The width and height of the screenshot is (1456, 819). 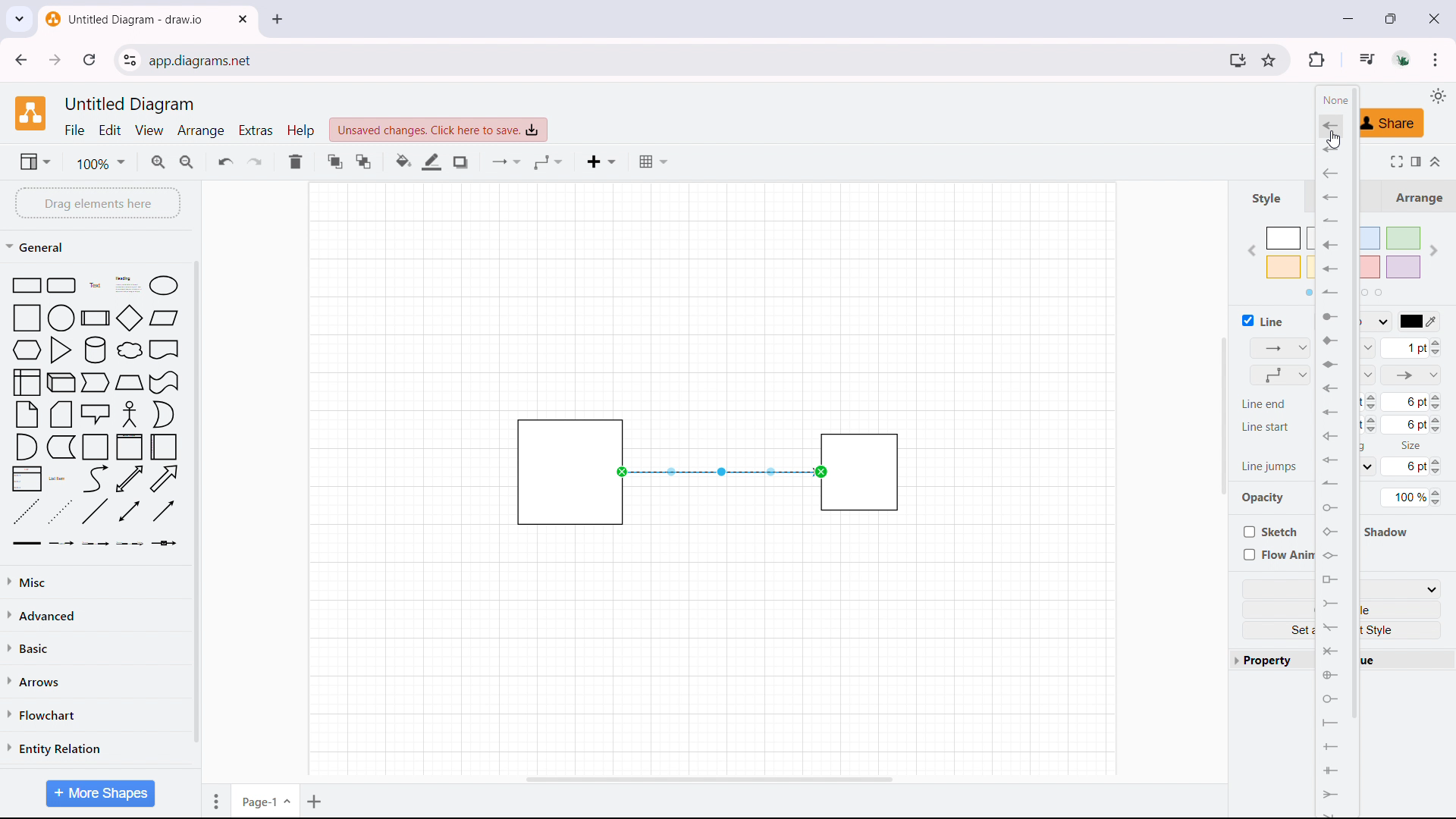 I want to click on scrollbar, so click(x=1353, y=406).